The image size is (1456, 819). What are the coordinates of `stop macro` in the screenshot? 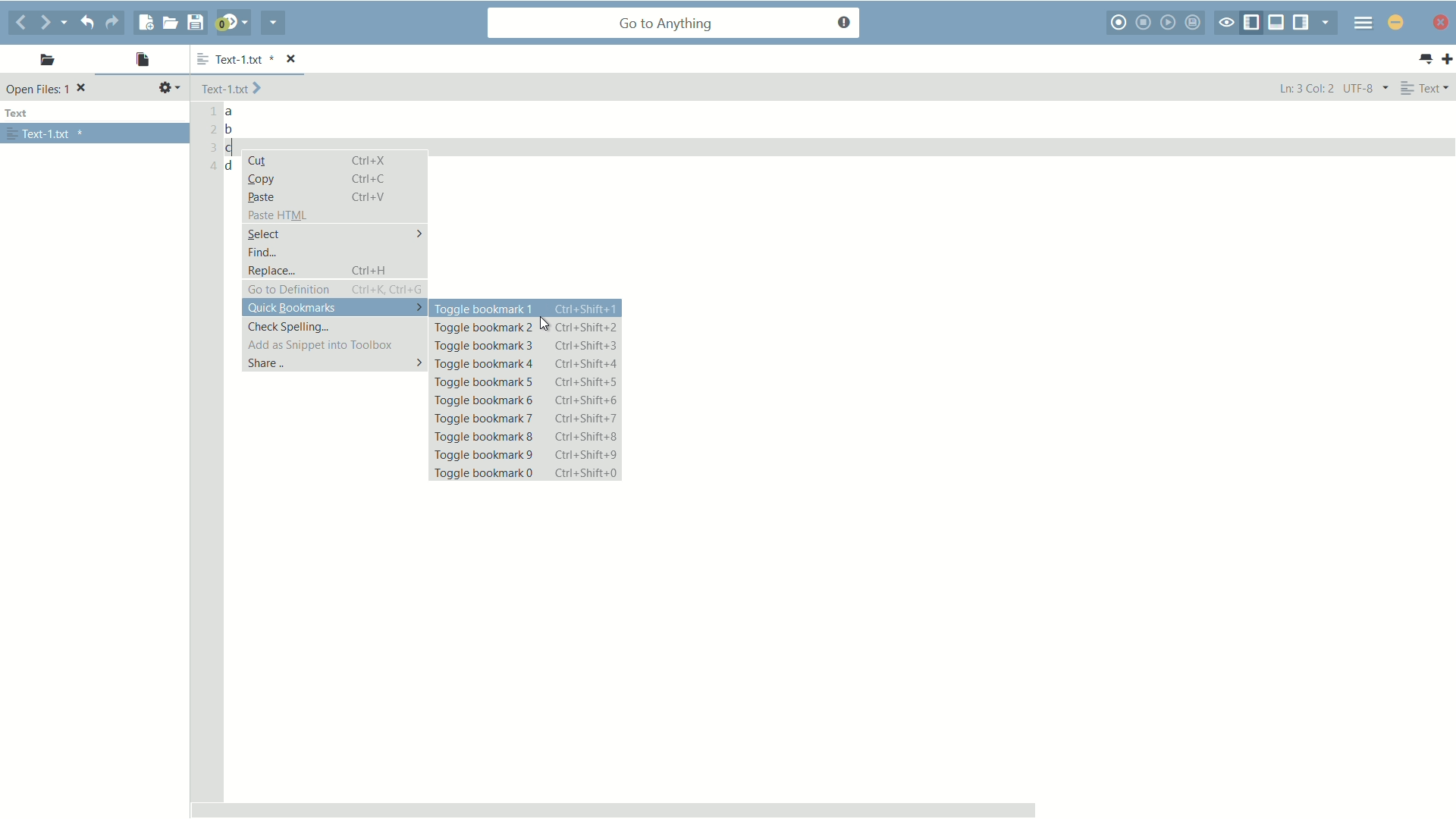 It's located at (1146, 22).